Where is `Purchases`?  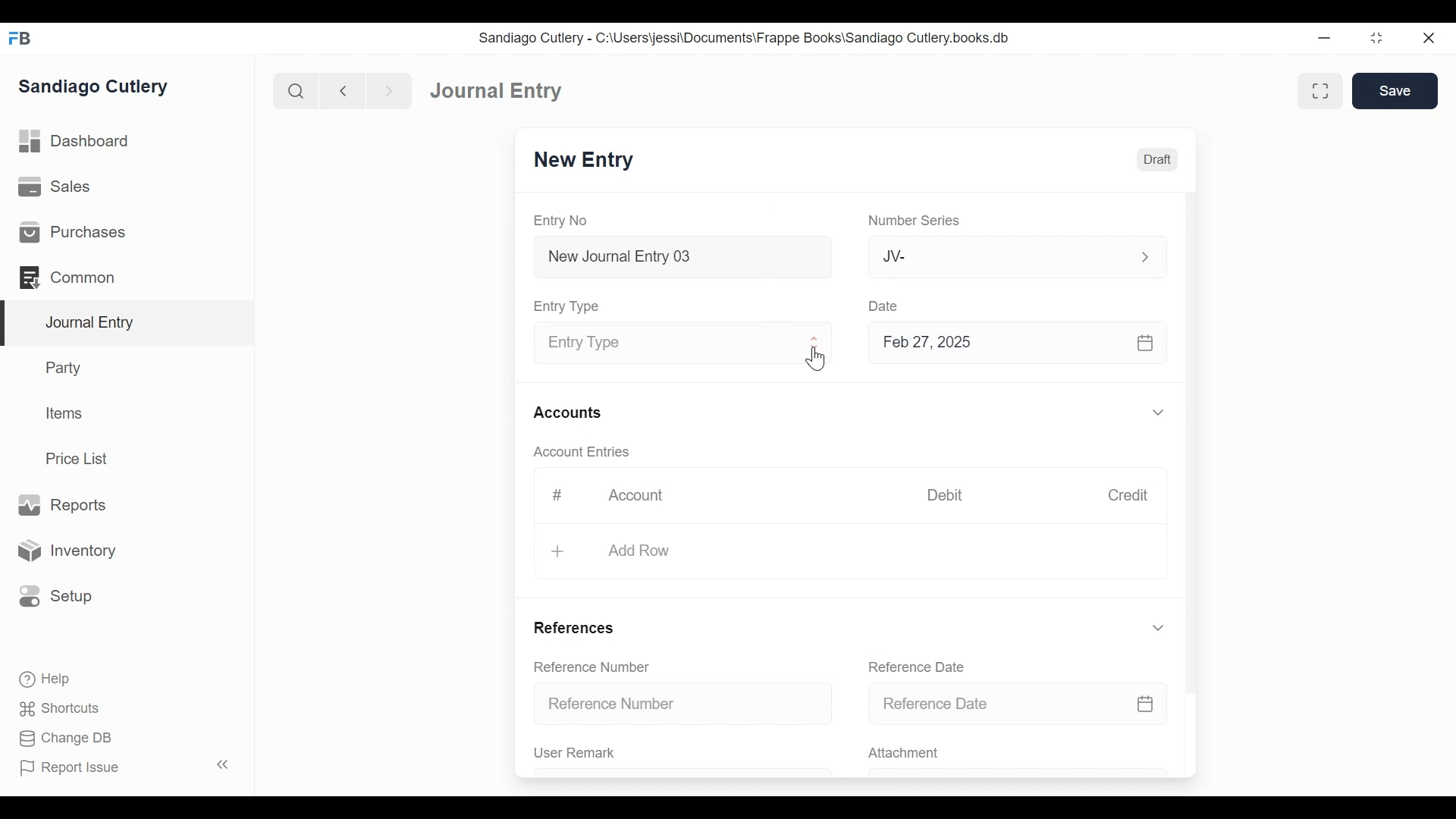
Purchases is located at coordinates (75, 232).